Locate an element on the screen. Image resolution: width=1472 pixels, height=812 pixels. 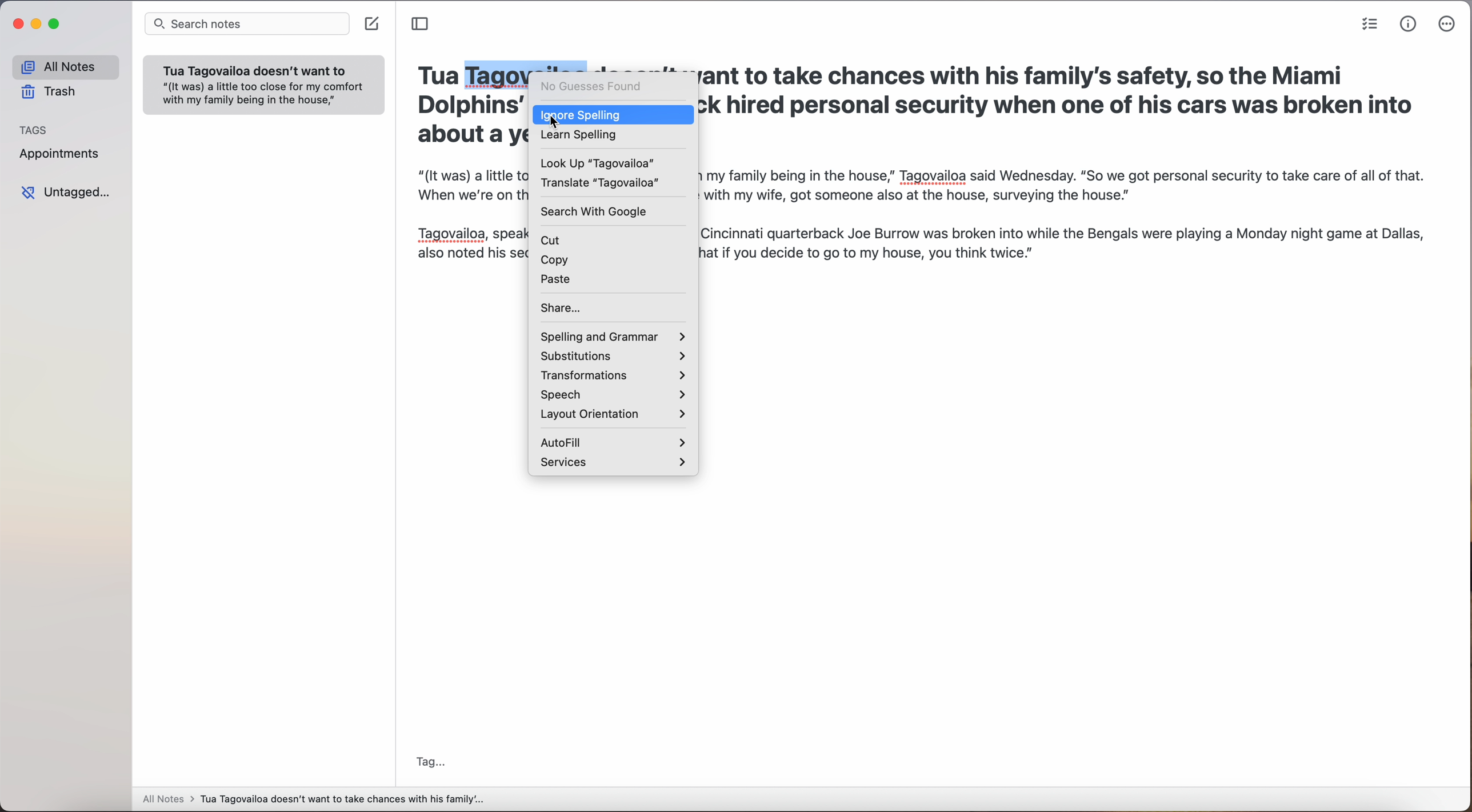
create note is located at coordinates (371, 25).